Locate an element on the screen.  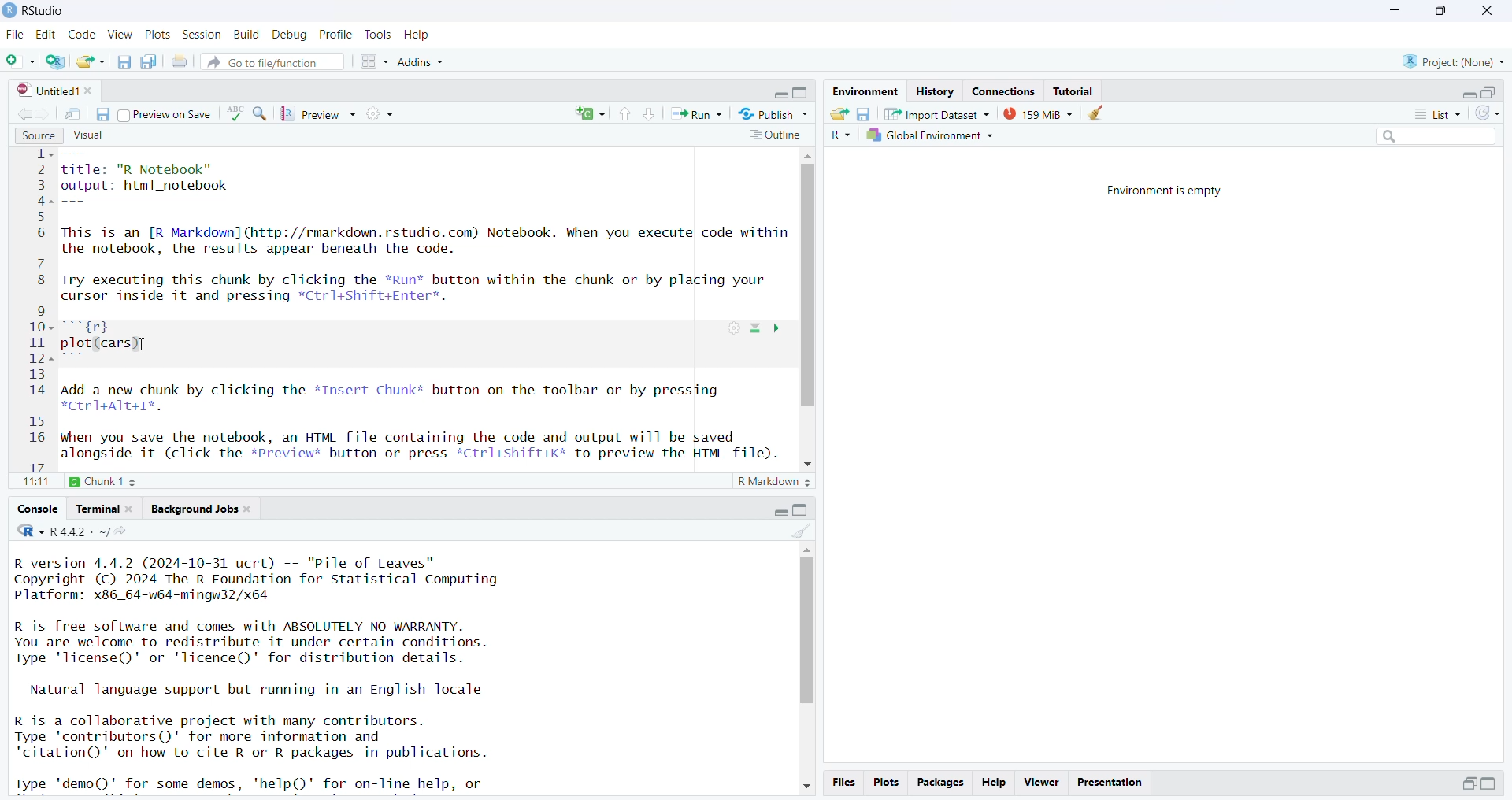
Console log is located at coordinates (275, 671).